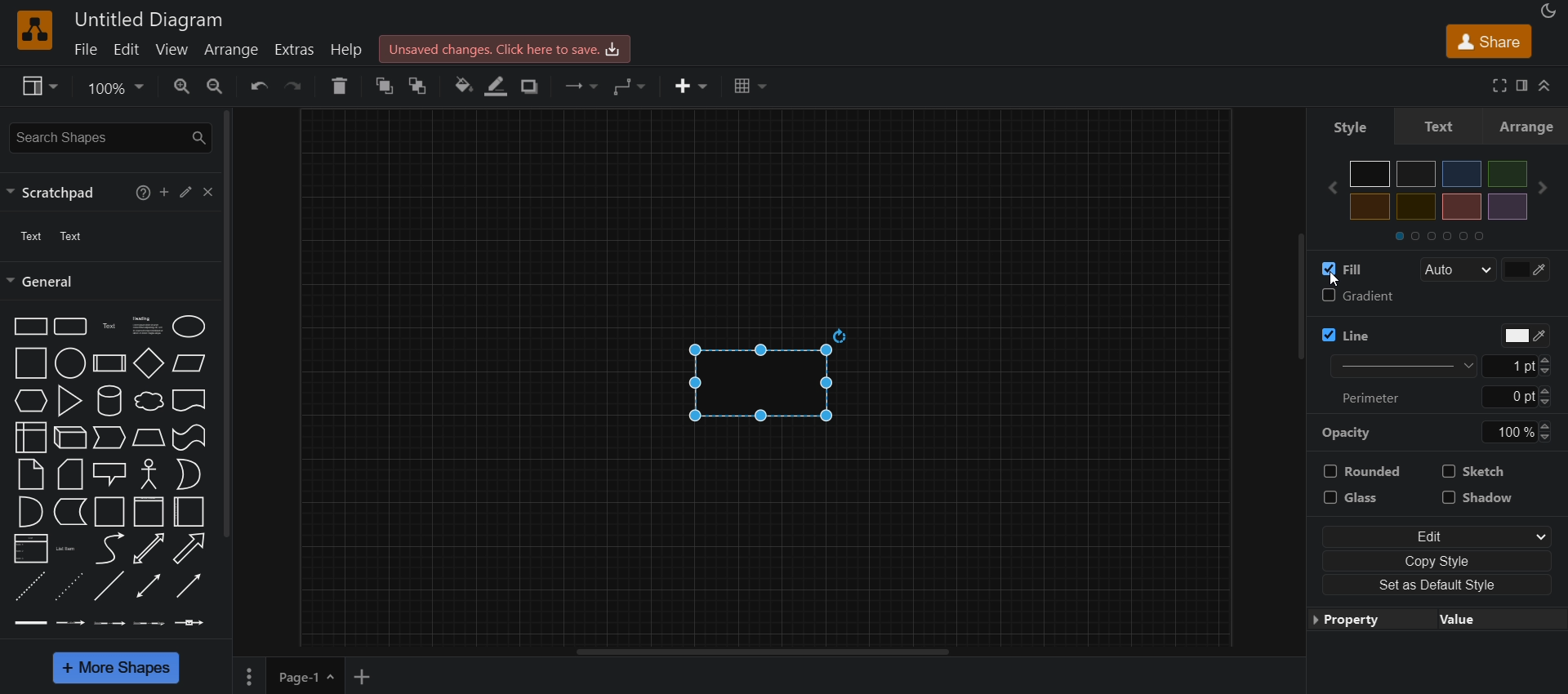 Image resolution: width=1568 pixels, height=694 pixels. I want to click on set as default, so click(1438, 585).